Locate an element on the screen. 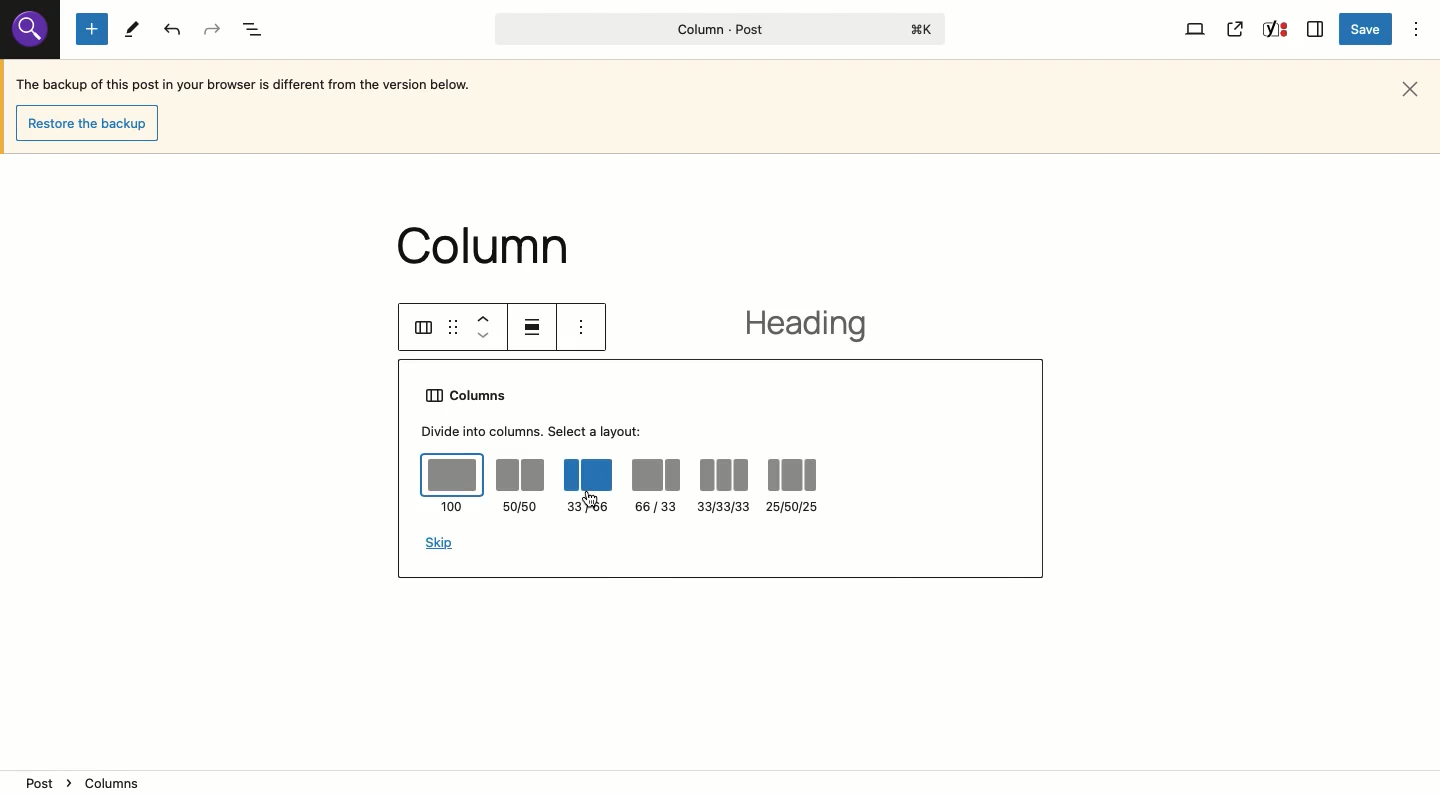  66,33 is located at coordinates (657, 488).